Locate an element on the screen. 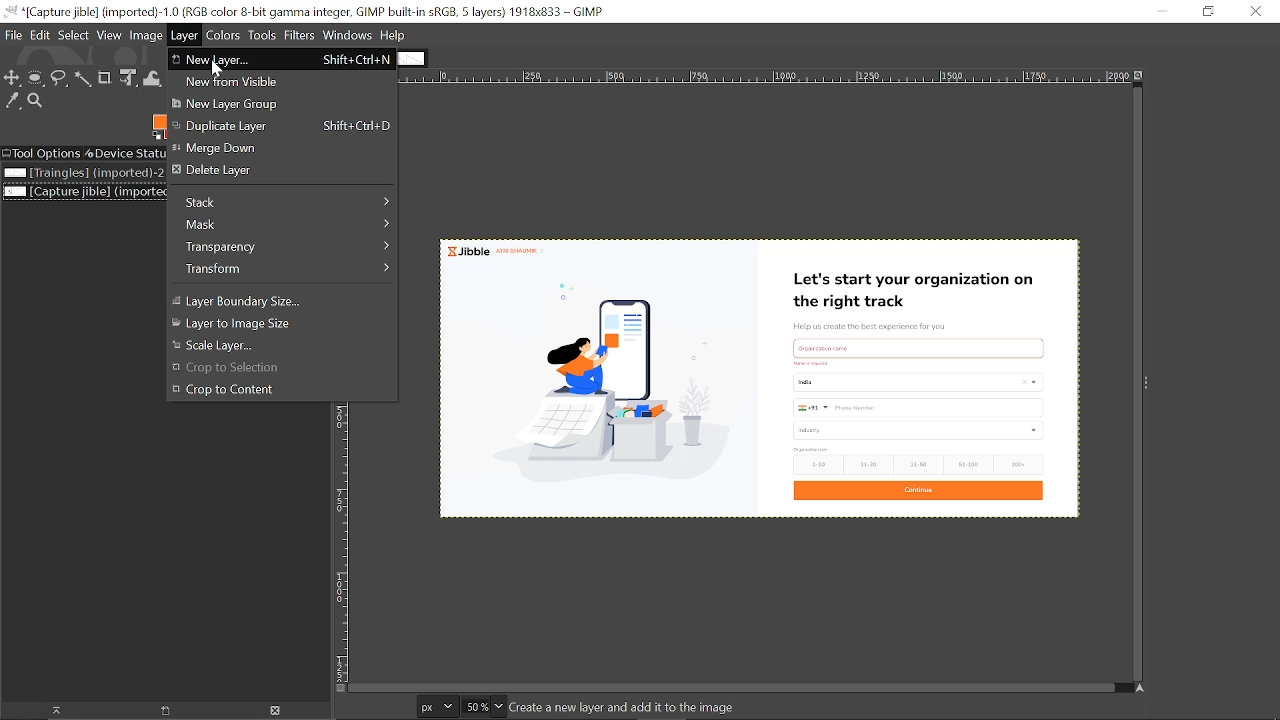 The image size is (1280, 720). Delete layer is located at coordinates (277, 171).